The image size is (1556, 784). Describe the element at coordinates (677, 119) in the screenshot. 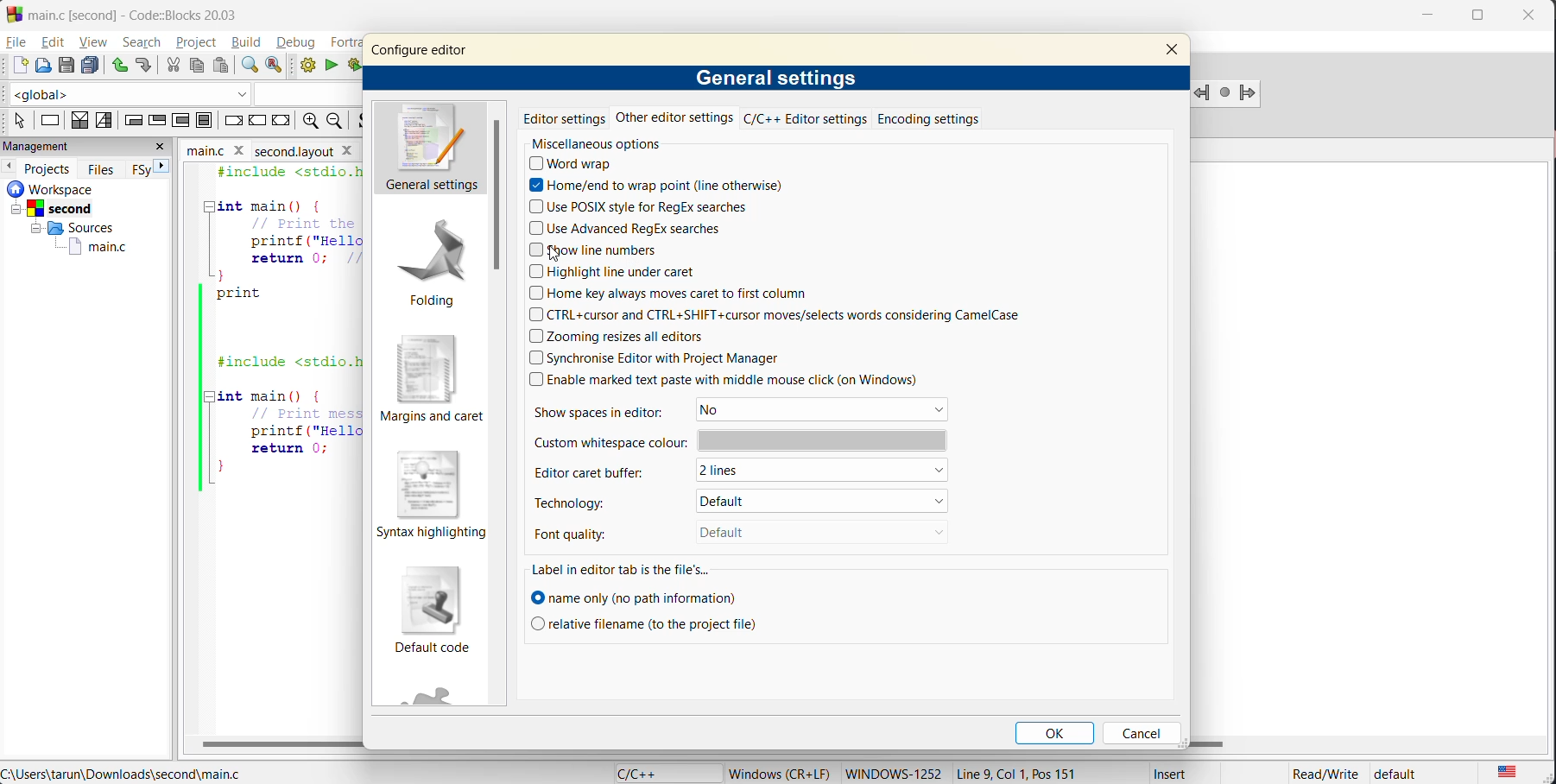

I see `other editor settings` at that location.